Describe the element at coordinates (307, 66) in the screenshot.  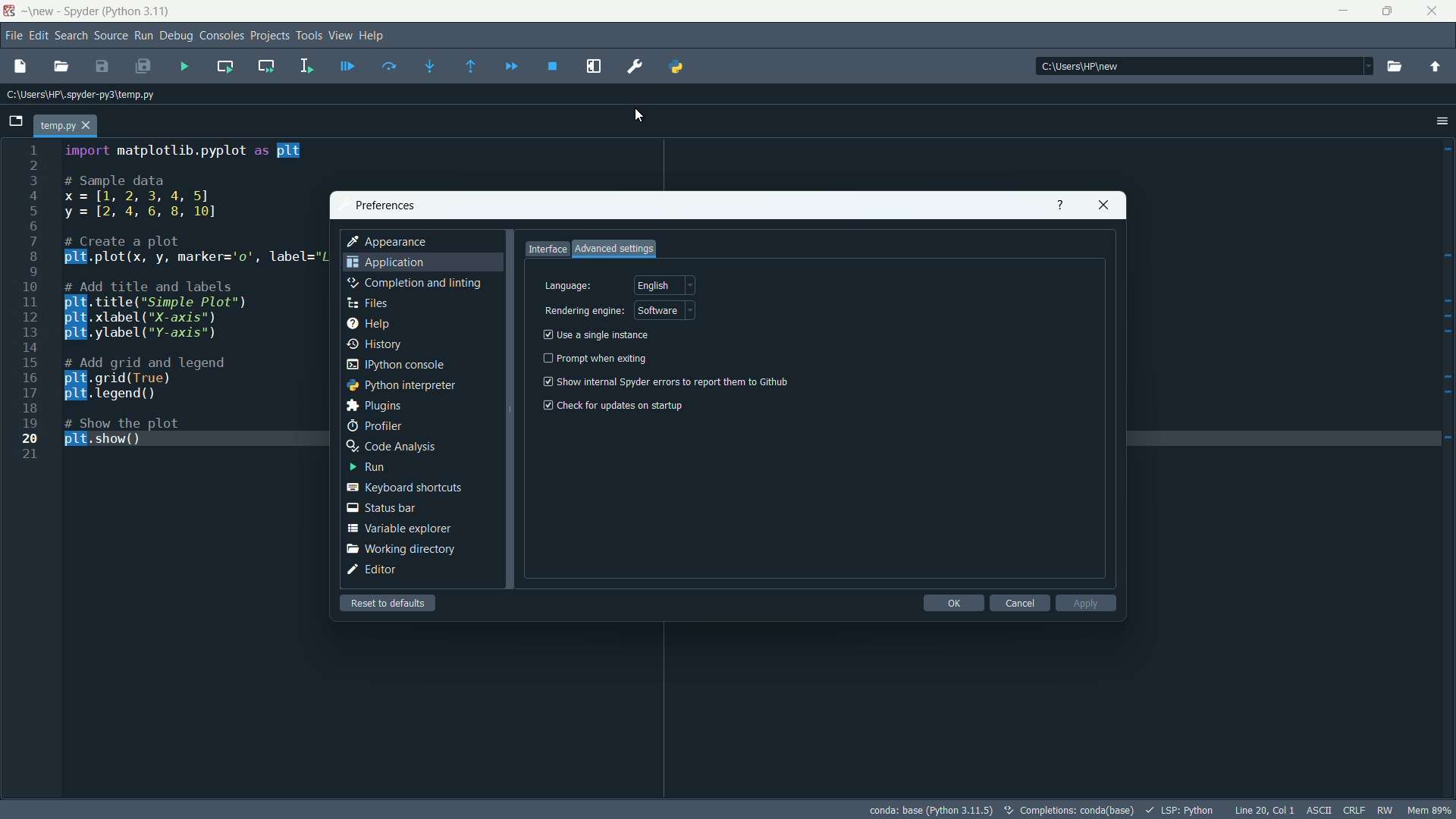
I see `run selection` at that location.